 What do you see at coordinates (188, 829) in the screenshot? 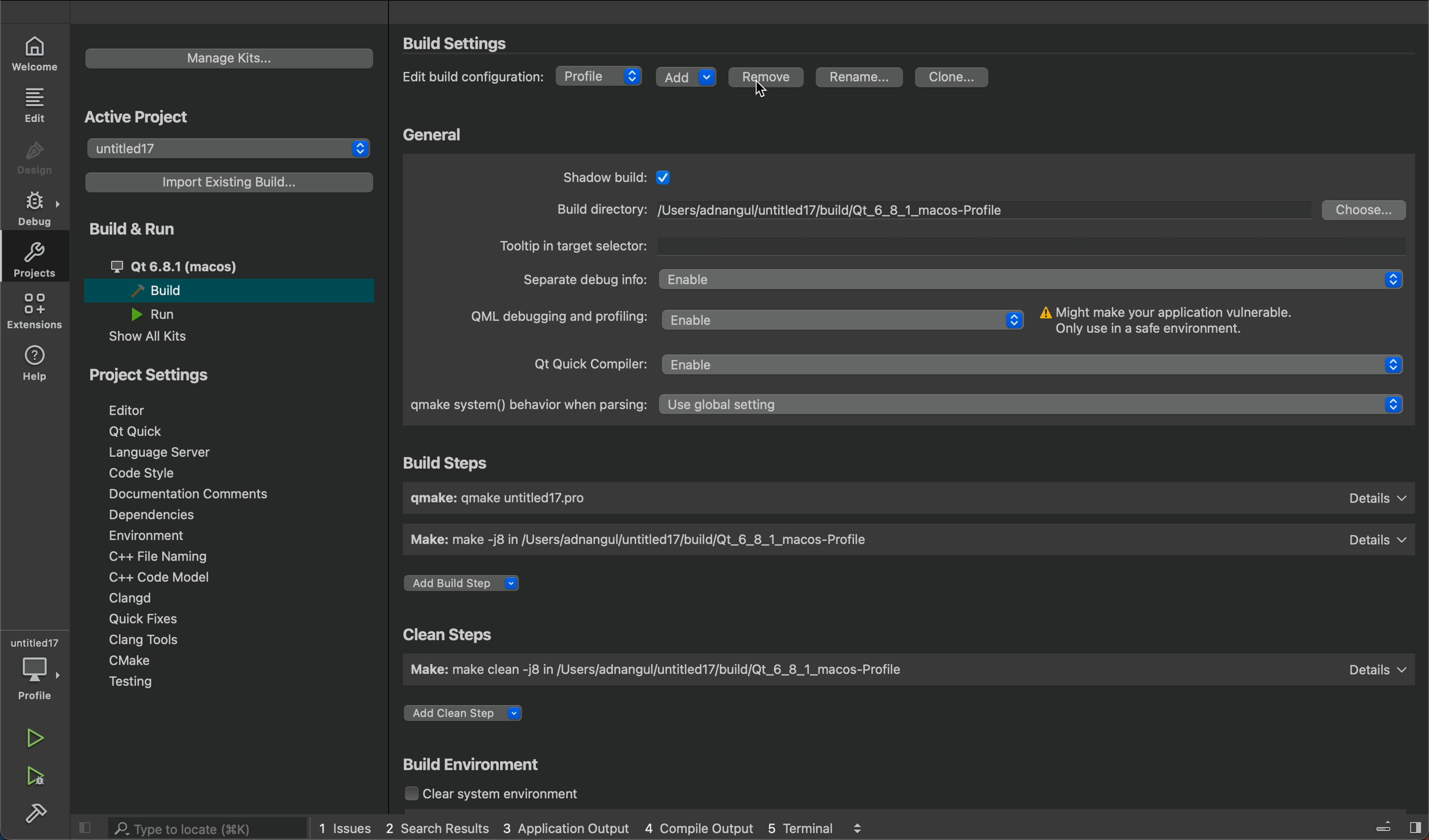
I see `search` at bounding box center [188, 829].